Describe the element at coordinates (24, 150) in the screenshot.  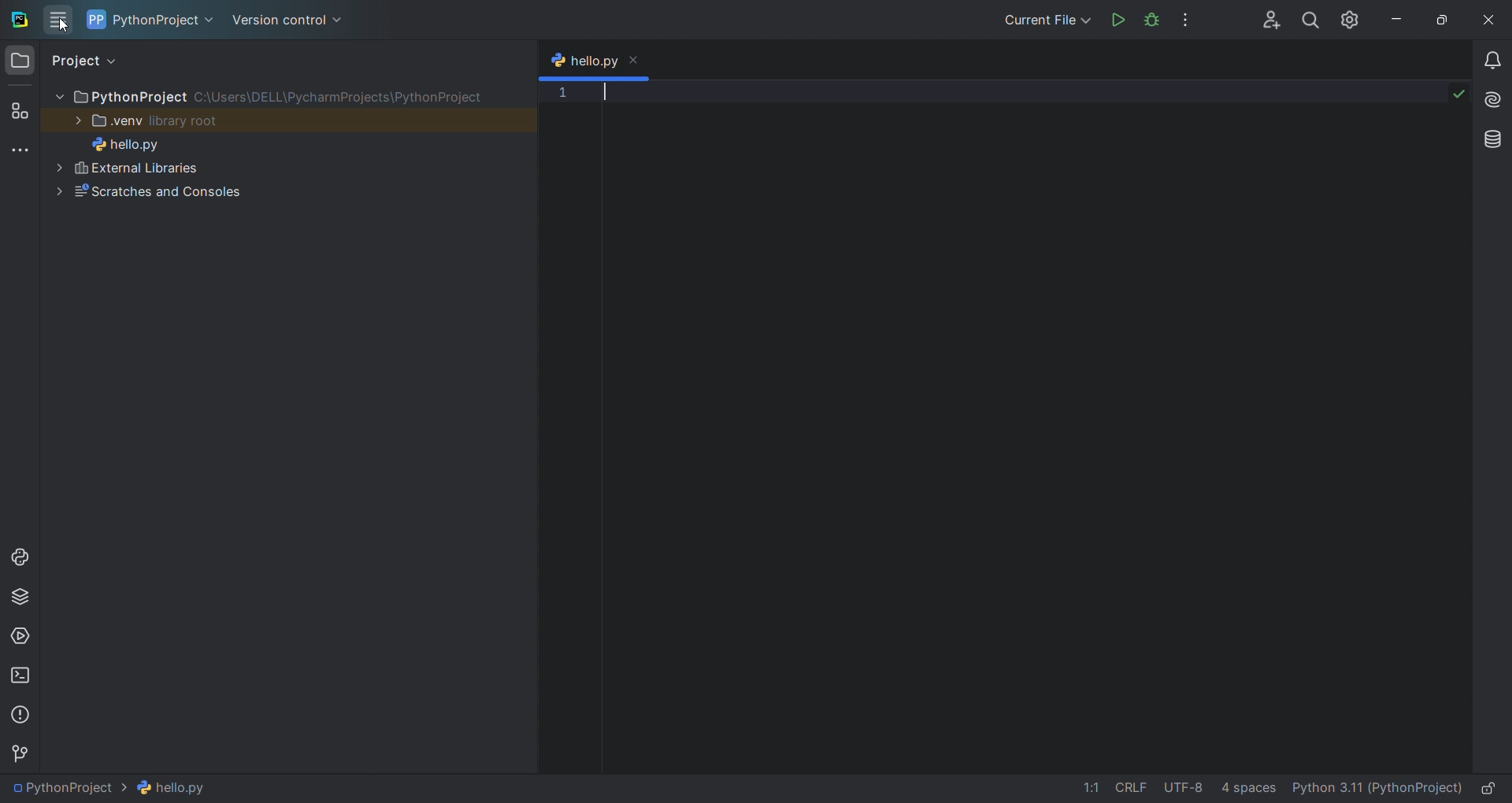
I see `more tools windows` at that location.